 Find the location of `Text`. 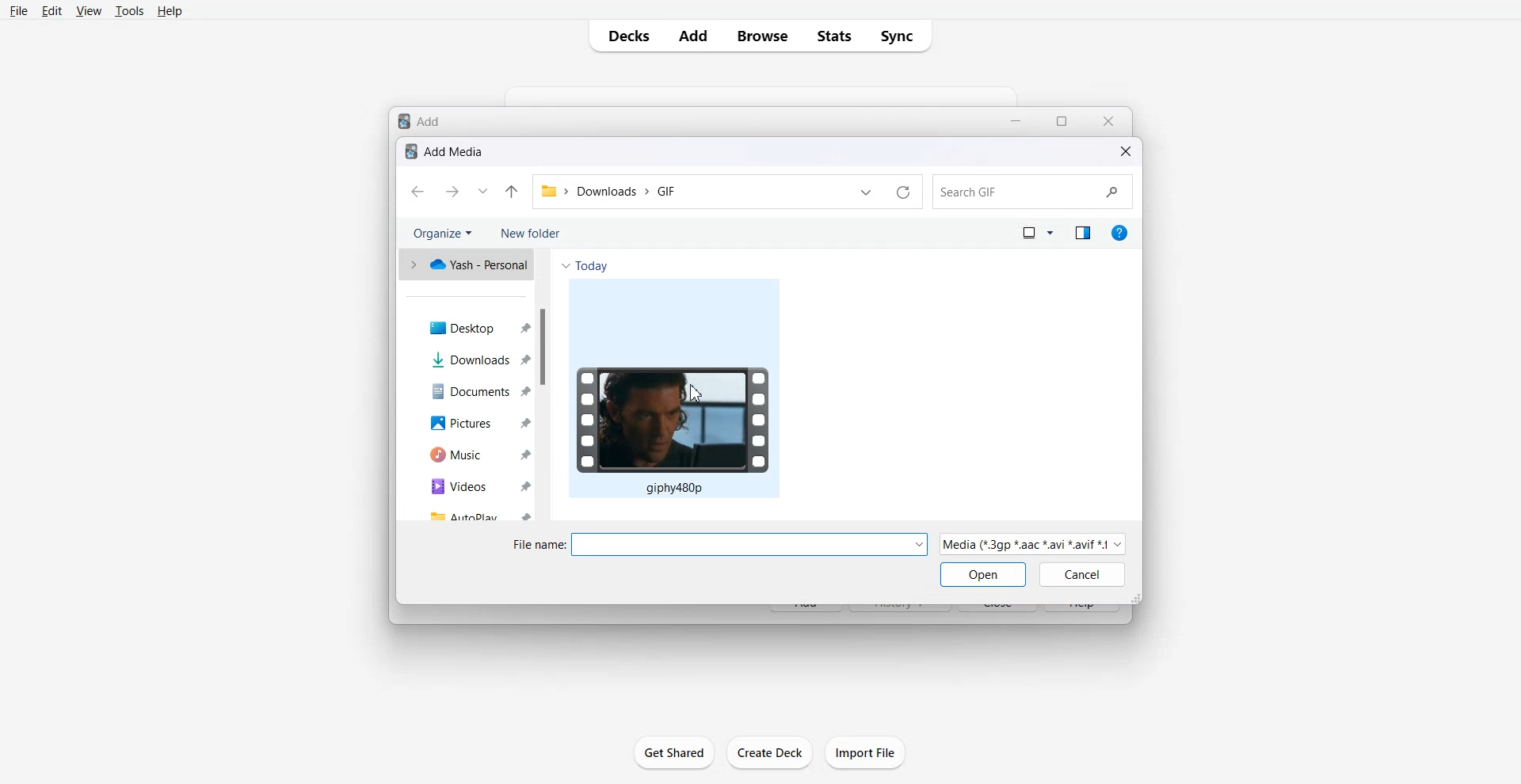

Text is located at coordinates (422, 120).